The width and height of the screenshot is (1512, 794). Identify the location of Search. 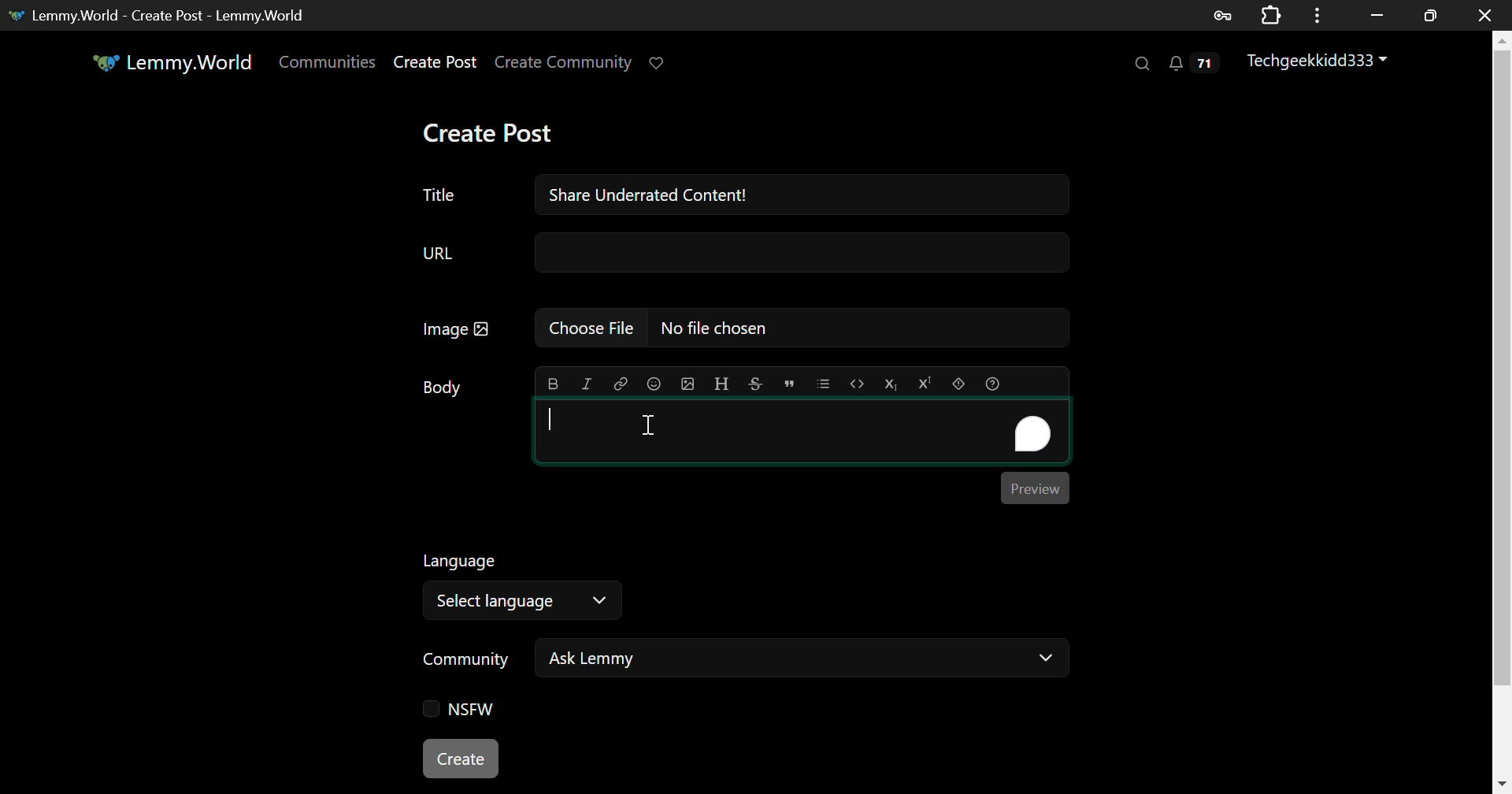
(1140, 62).